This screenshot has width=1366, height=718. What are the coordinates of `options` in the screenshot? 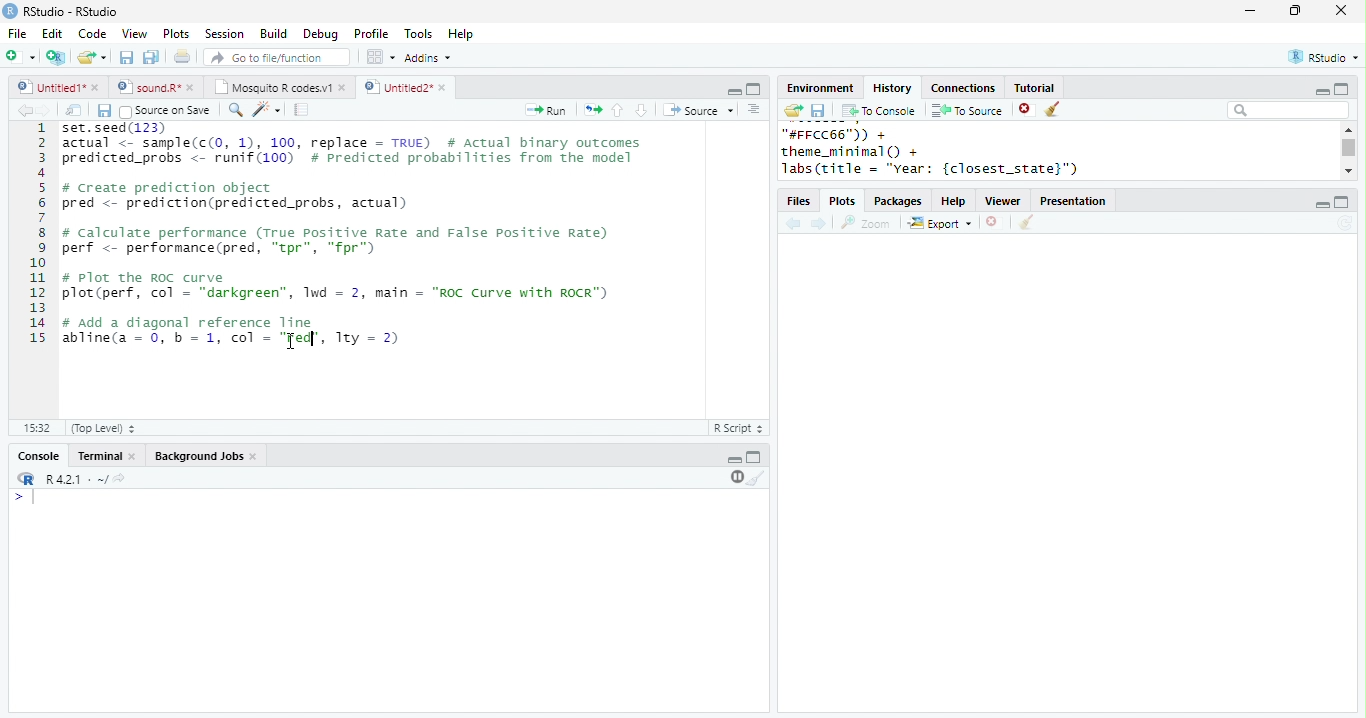 It's located at (754, 109).